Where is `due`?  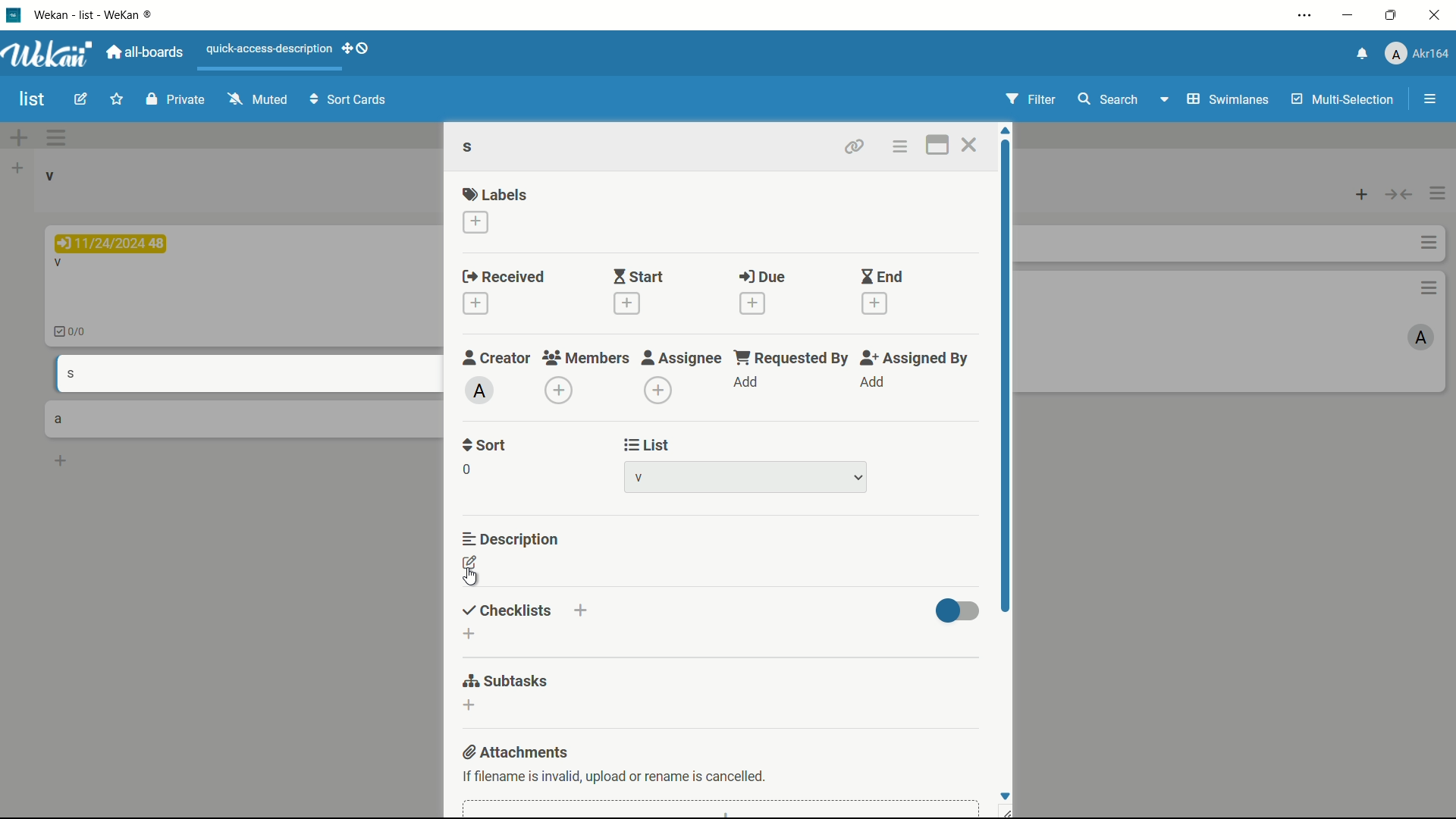
due is located at coordinates (762, 277).